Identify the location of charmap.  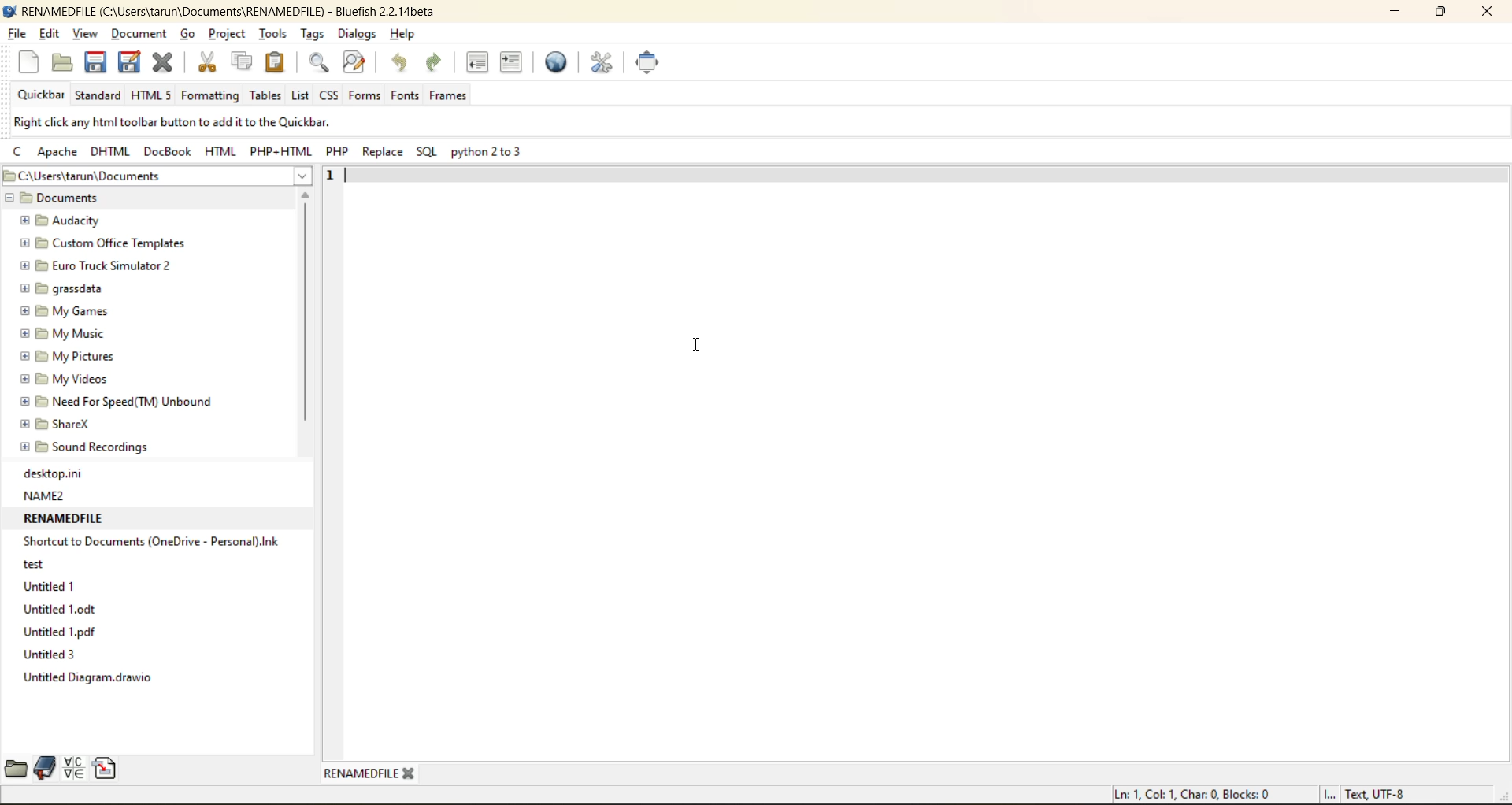
(73, 769).